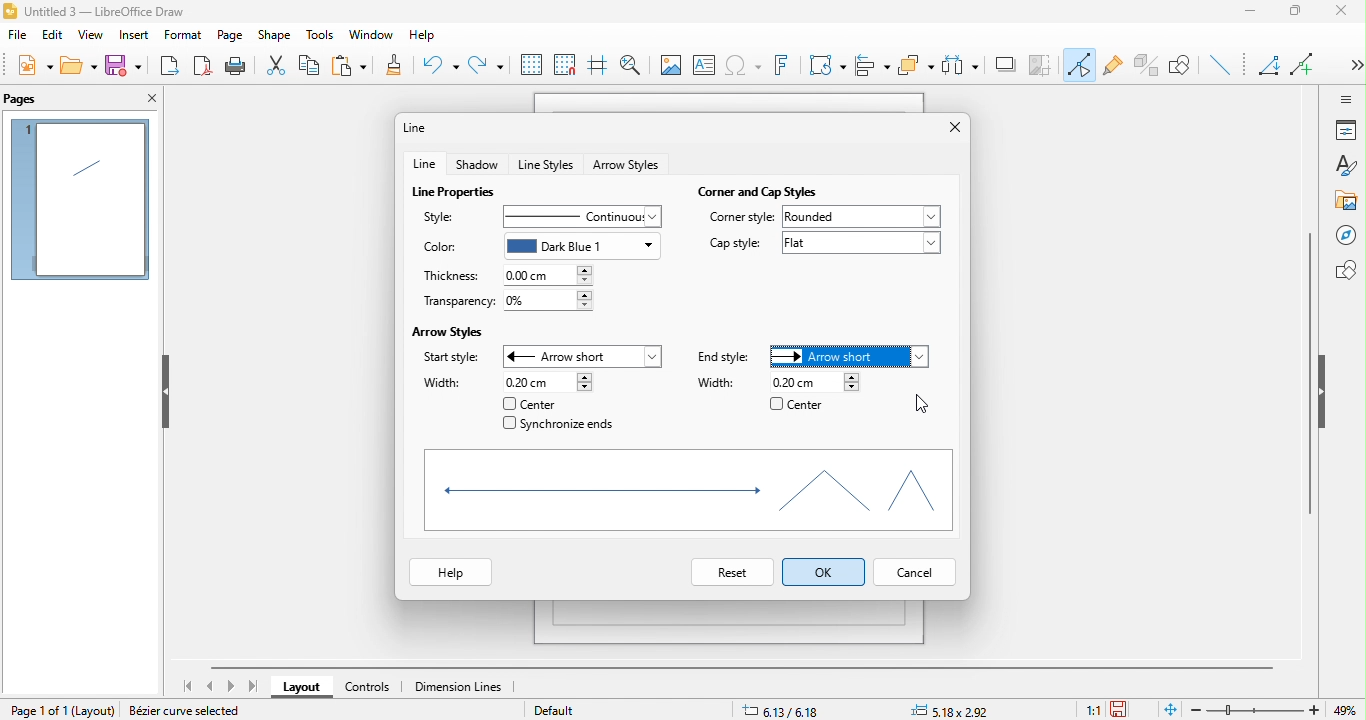  I want to click on align object, so click(873, 67).